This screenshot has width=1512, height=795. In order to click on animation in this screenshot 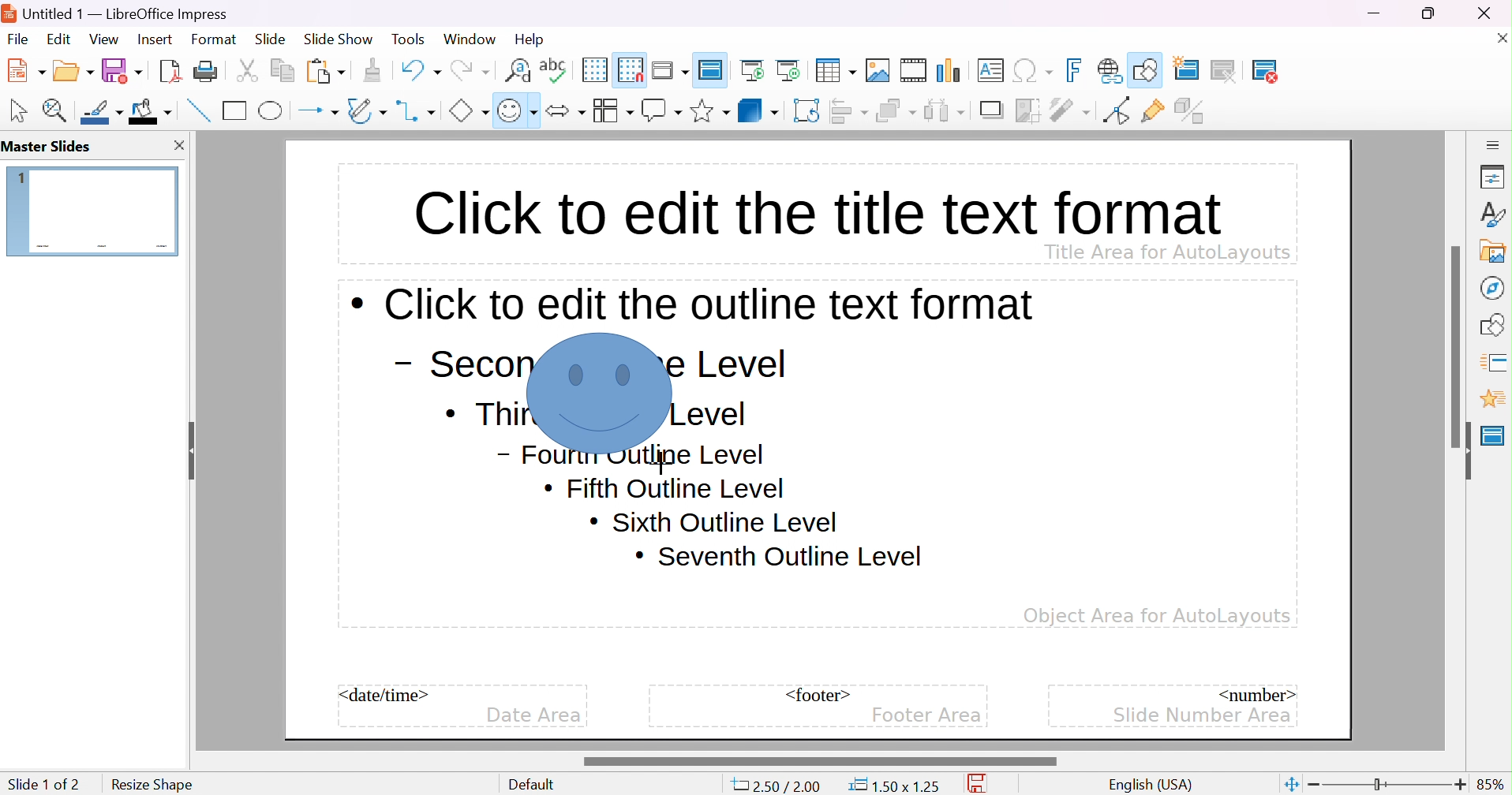, I will do `click(1492, 399)`.